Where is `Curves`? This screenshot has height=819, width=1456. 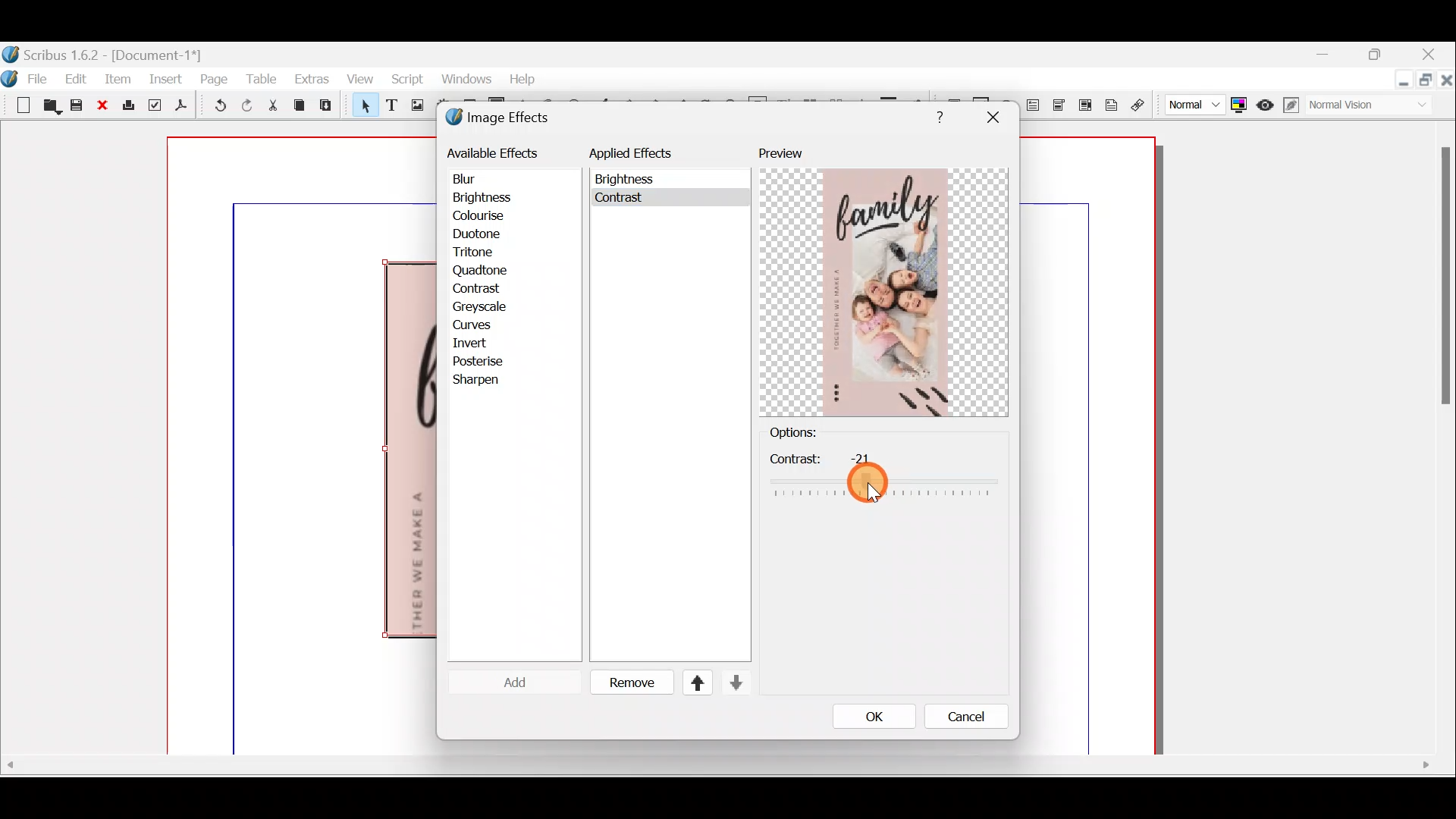 Curves is located at coordinates (483, 324).